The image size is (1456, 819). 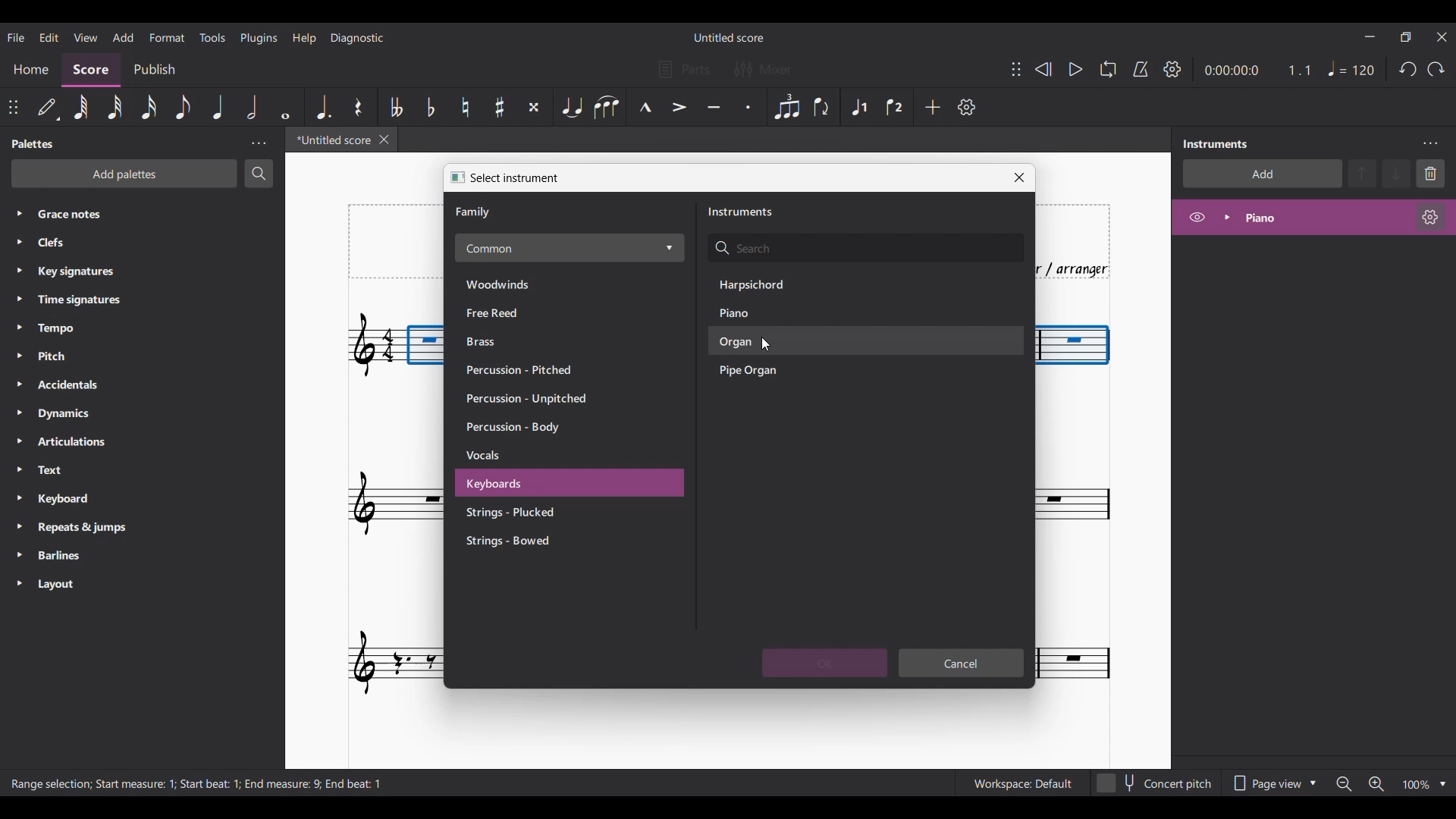 I want to click on Zoom options, so click(x=1442, y=784).